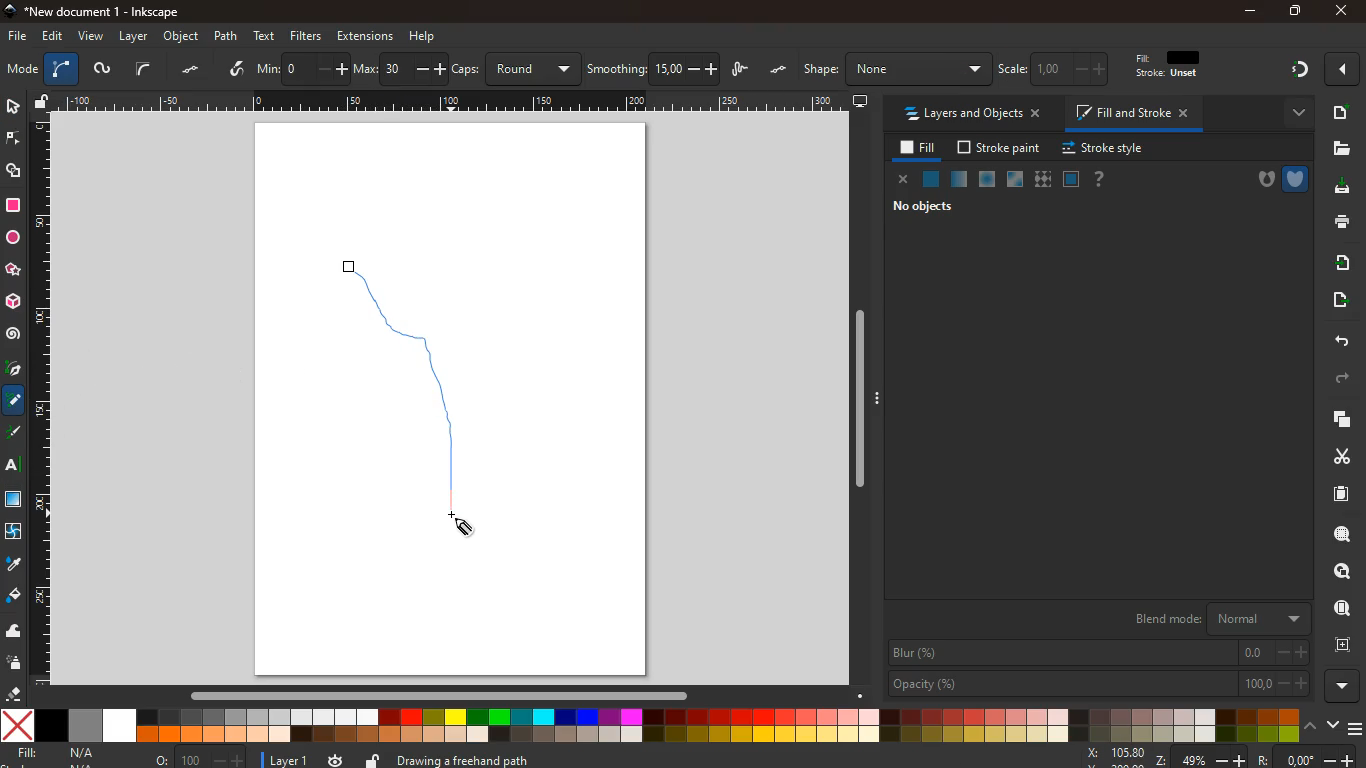 Image resolution: width=1366 pixels, height=768 pixels. What do you see at coordinates (15, 597) in the screenshot?
I see `paint` at bounding box center [15, 597].